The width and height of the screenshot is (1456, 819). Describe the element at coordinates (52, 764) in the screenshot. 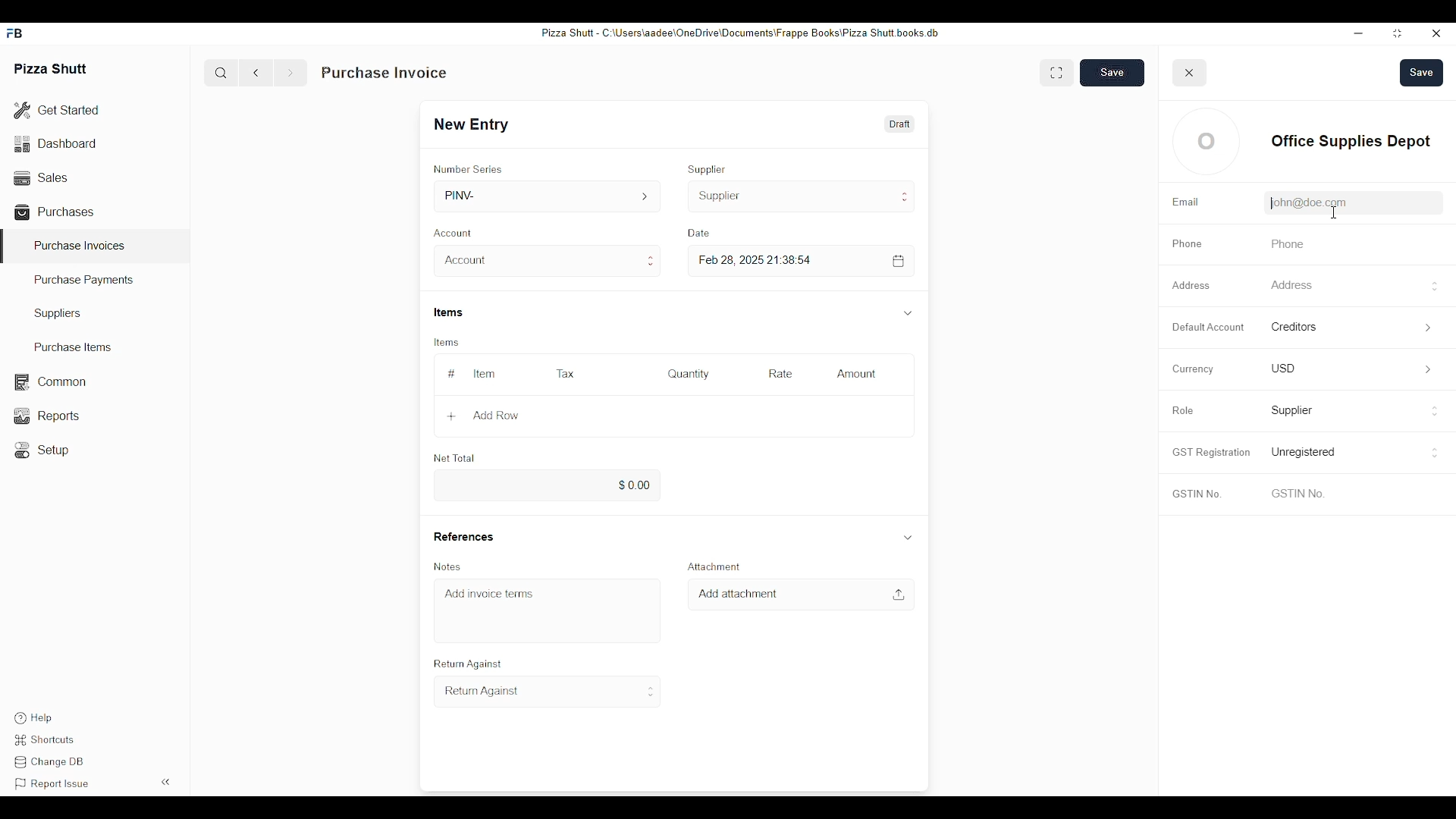

I see `Change DB` at that location.